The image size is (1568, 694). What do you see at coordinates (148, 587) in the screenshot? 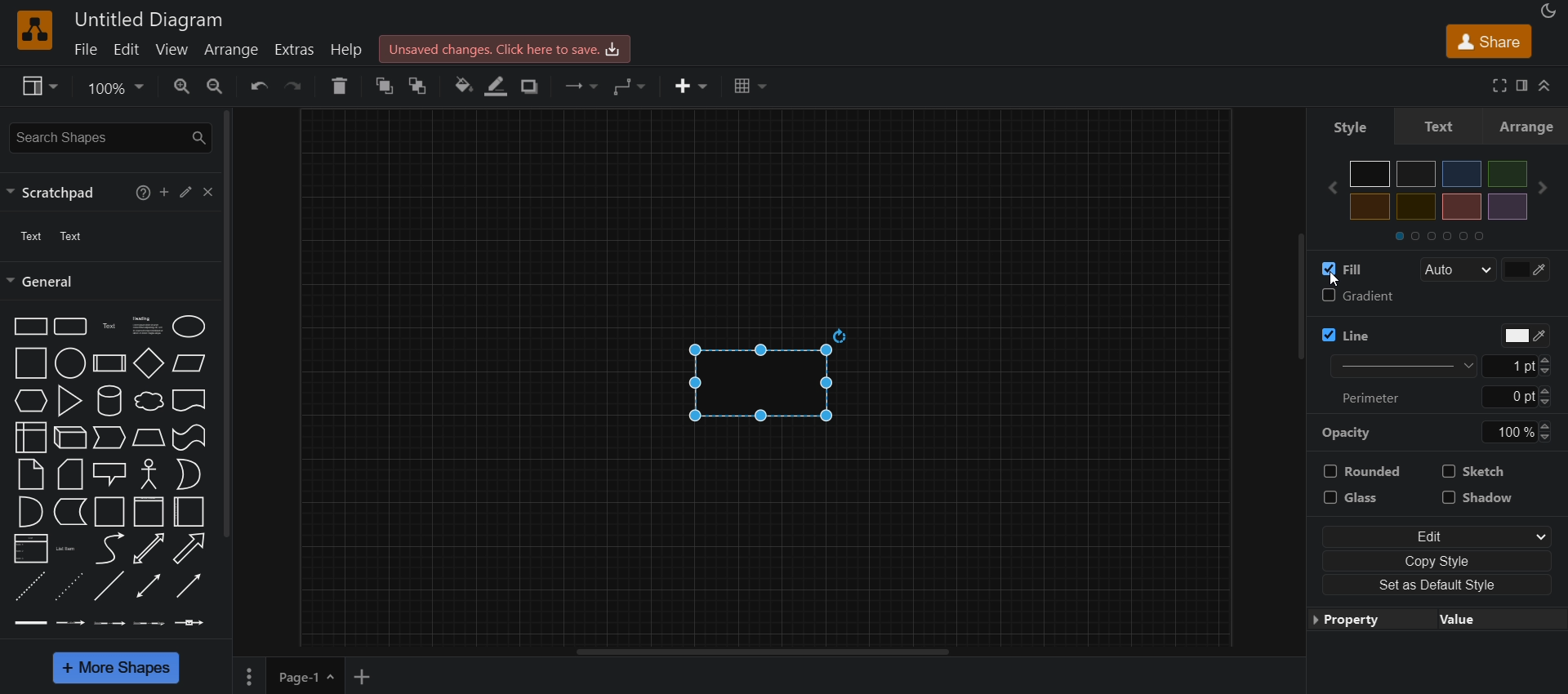
I see `bidirectional connector` at bounding box center [148, 587].